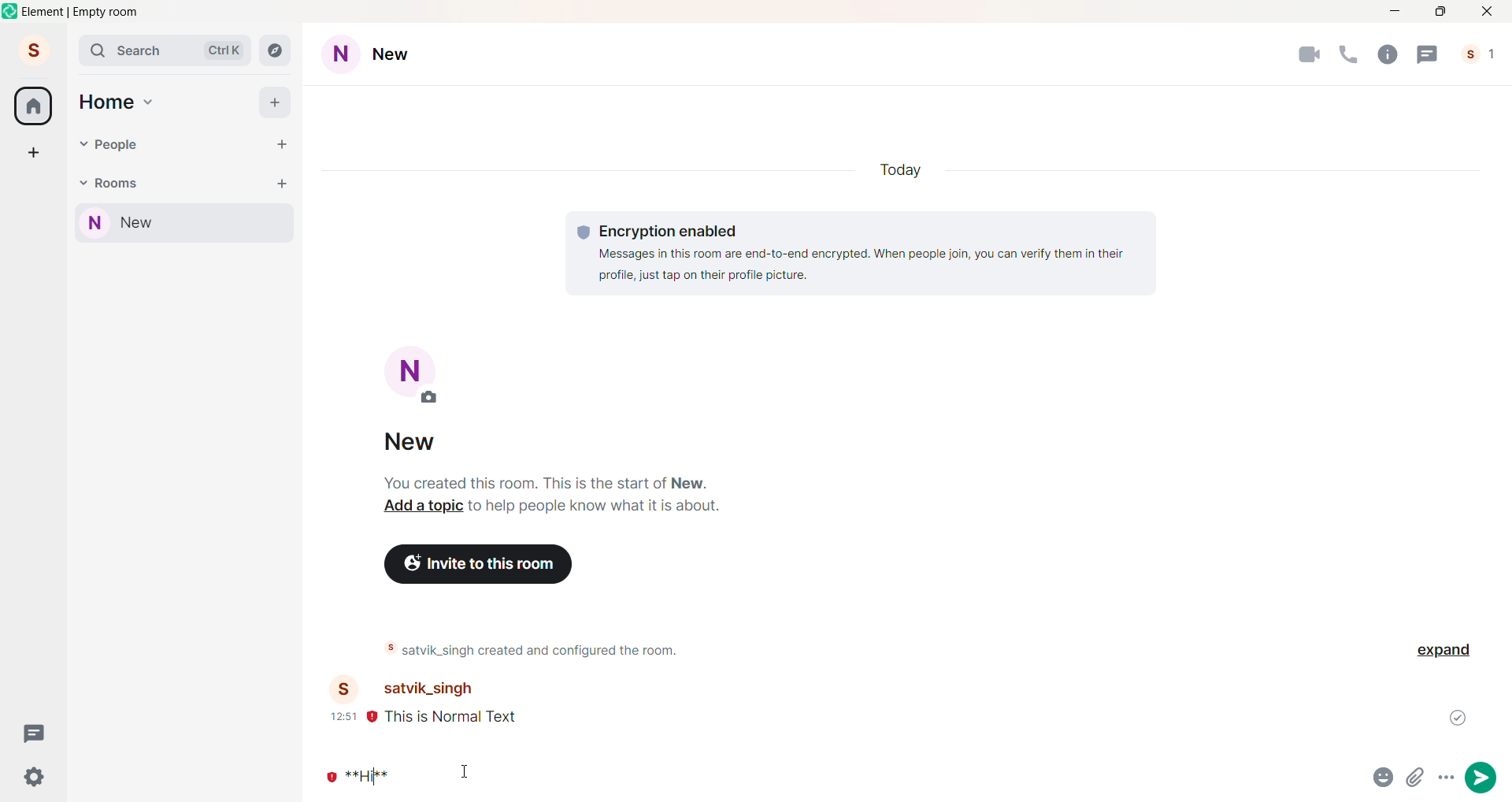 The image size is (1512, 802). What do you see at coordinates (34, 152) in the screenshot?
I see `Create a Space` at bounding box center [34, 152].